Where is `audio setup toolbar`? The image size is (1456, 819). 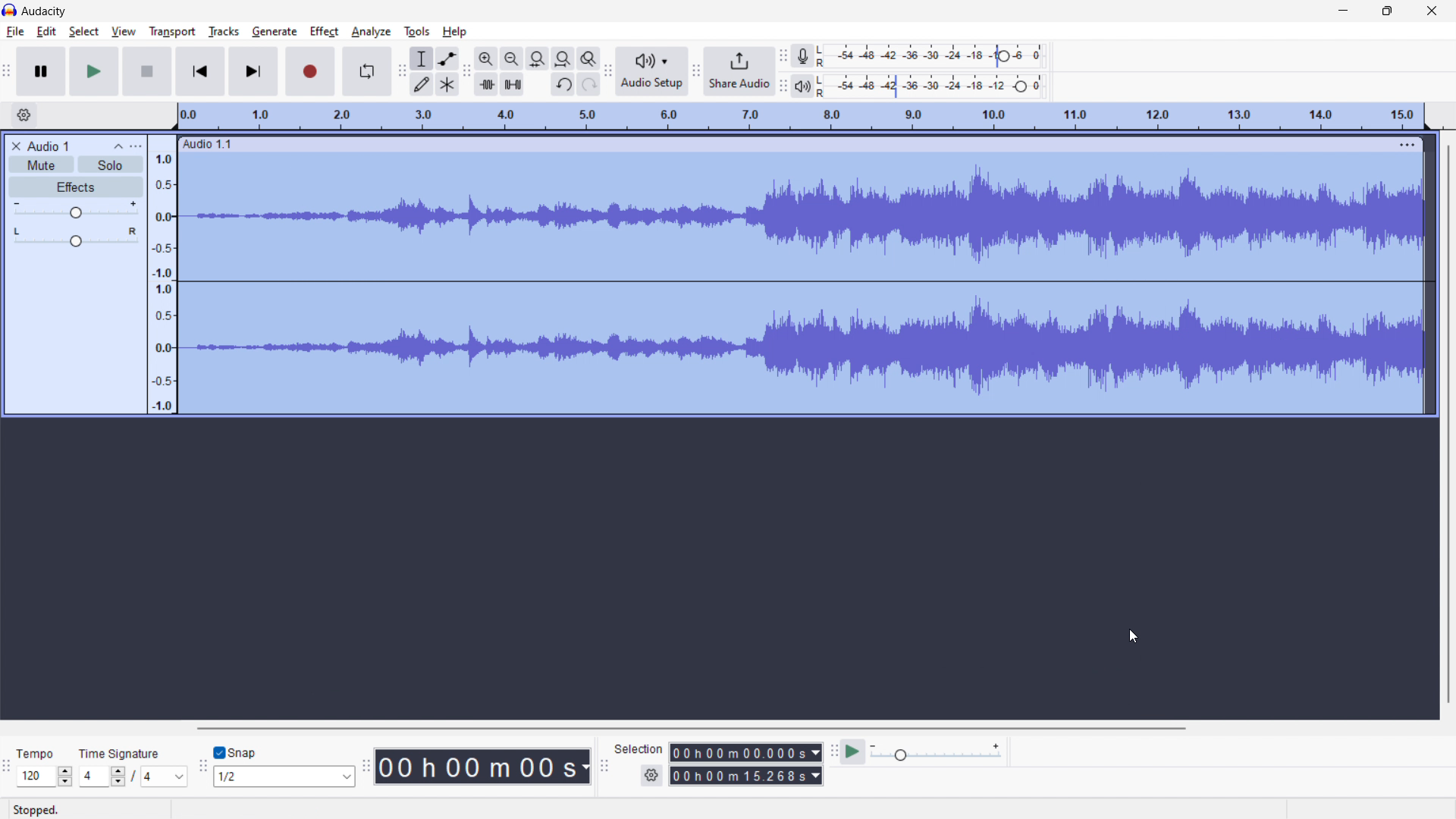
audio setup toolbar is located at coordinates (608, 71).